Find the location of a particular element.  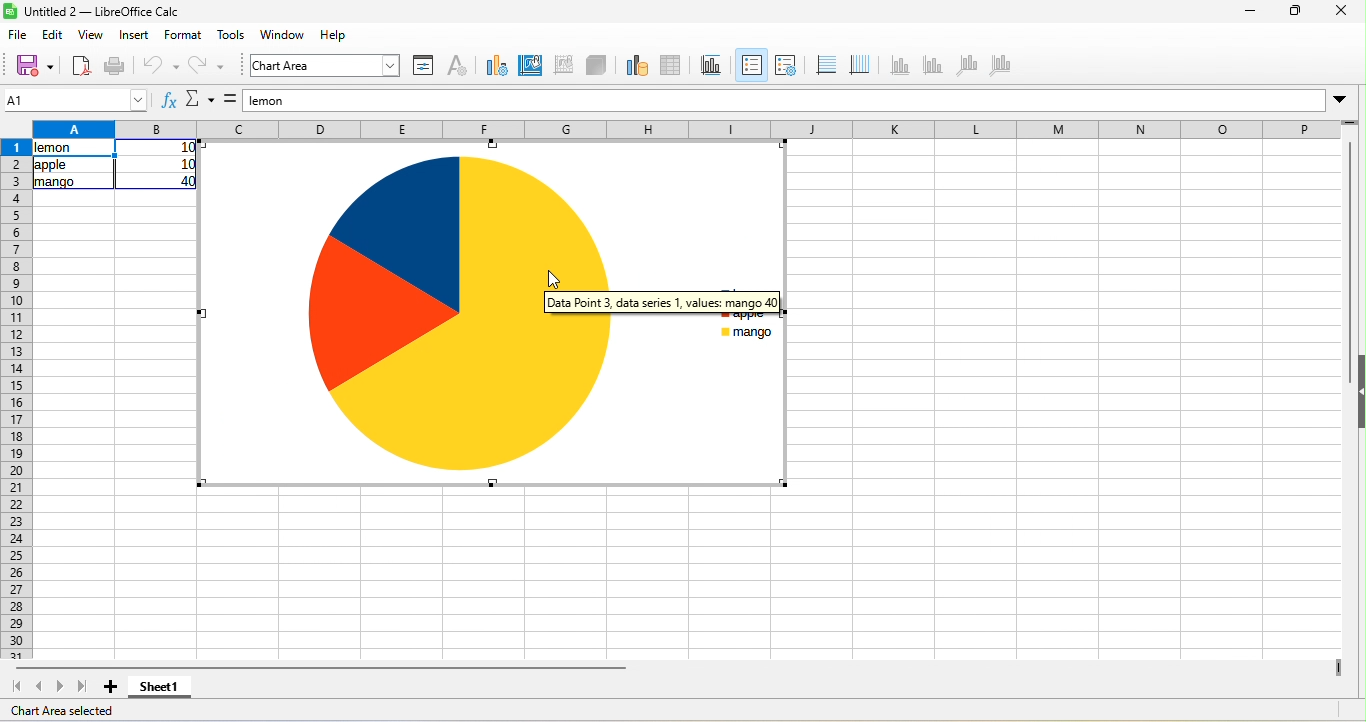

minimize is located at coordinates (1247, 12).